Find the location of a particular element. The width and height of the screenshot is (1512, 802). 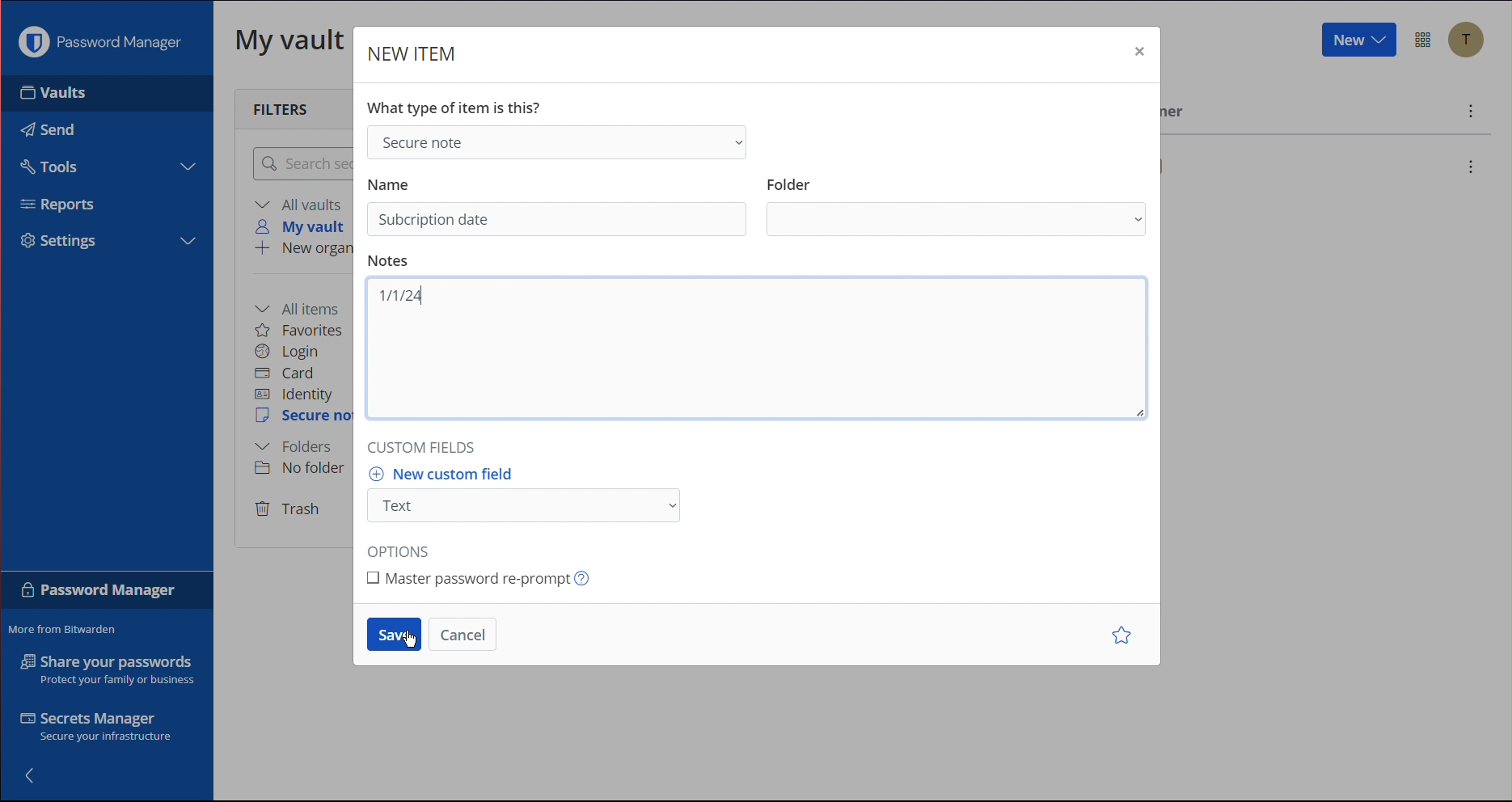

Options is located at coordinates (1425, 40).